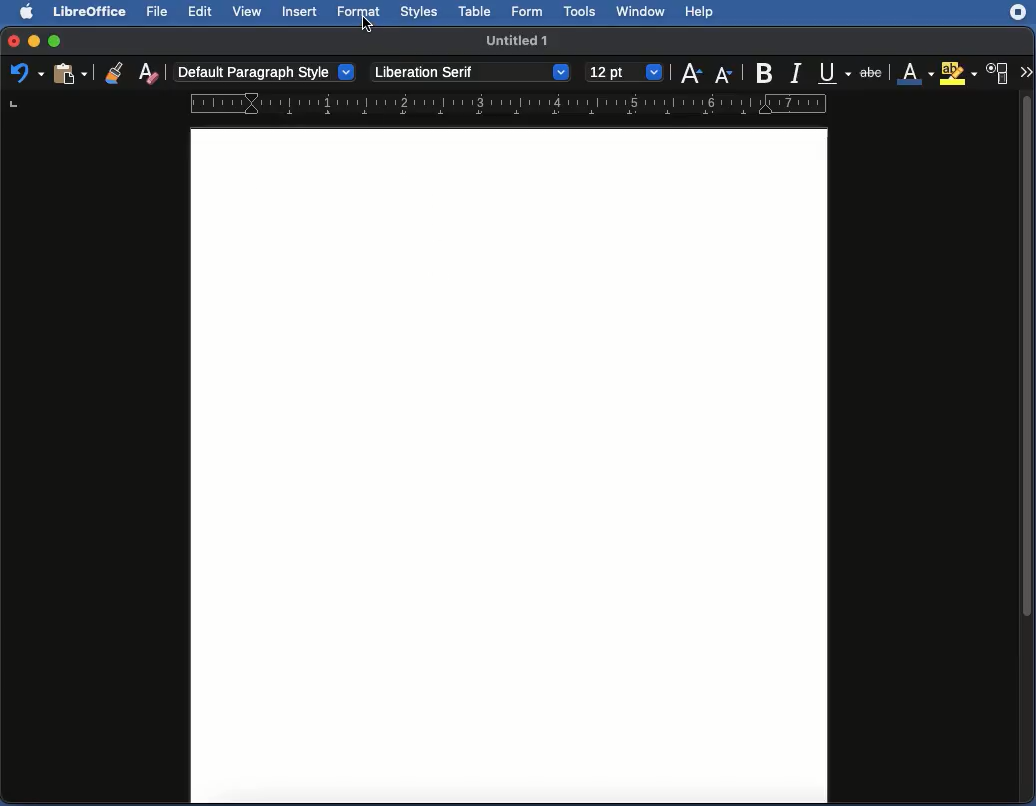  Describe the element at coordinates (469, 71) in the screenshot. I see `Font style` at that location.